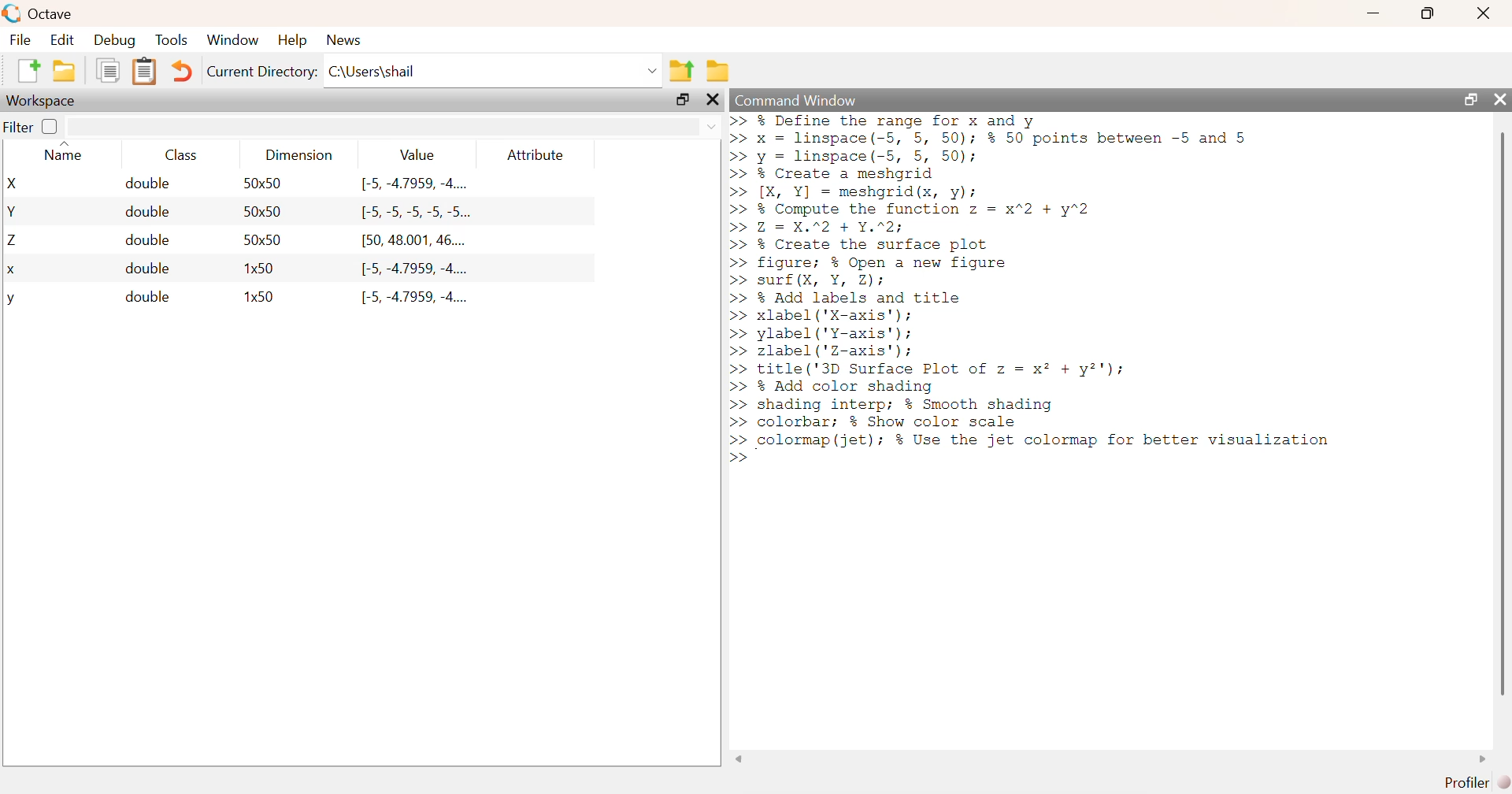 The image size is (1512, 794). I want to click on Logo, so click(13, 14).